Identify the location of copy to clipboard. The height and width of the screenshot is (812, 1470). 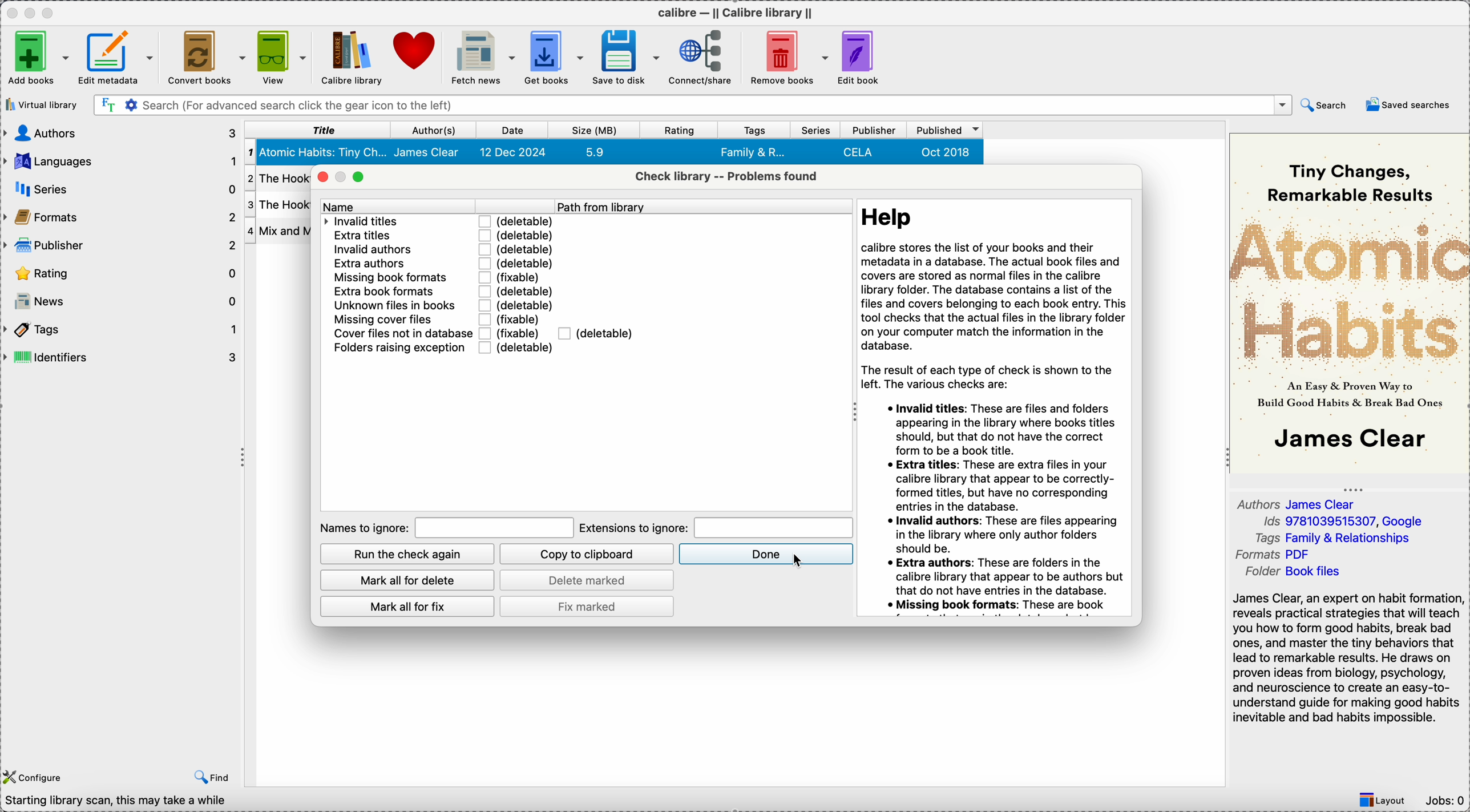
(587, 555).